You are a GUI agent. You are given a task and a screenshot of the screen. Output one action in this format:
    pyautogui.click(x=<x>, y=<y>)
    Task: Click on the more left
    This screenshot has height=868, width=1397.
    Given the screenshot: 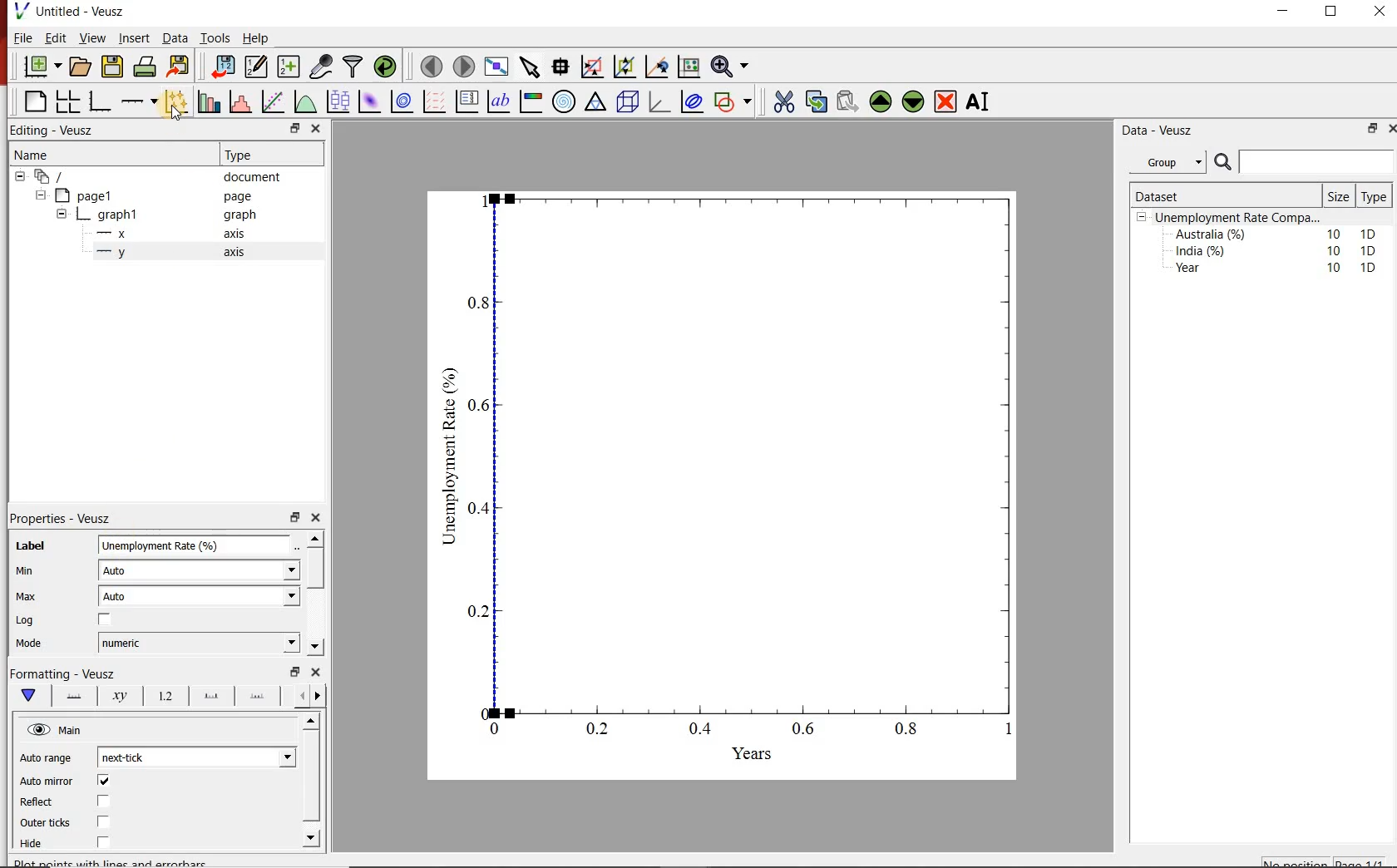 What is the action you would take?
    pyautogui.click(x=299, y=695)
    